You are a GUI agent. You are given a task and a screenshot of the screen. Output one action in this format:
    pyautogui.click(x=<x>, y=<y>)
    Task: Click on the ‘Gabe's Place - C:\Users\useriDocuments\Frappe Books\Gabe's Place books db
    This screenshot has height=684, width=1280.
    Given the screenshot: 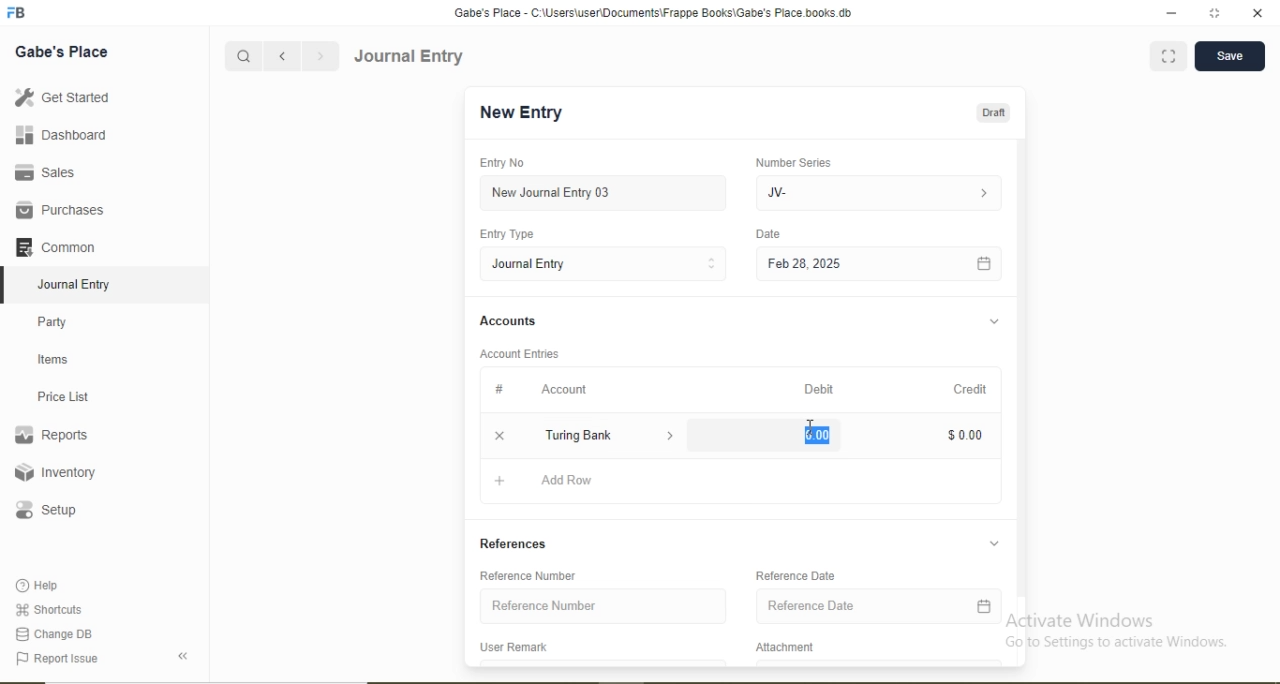 What is the action you would take?
    pyautogui.click(x=652, y=13)
    